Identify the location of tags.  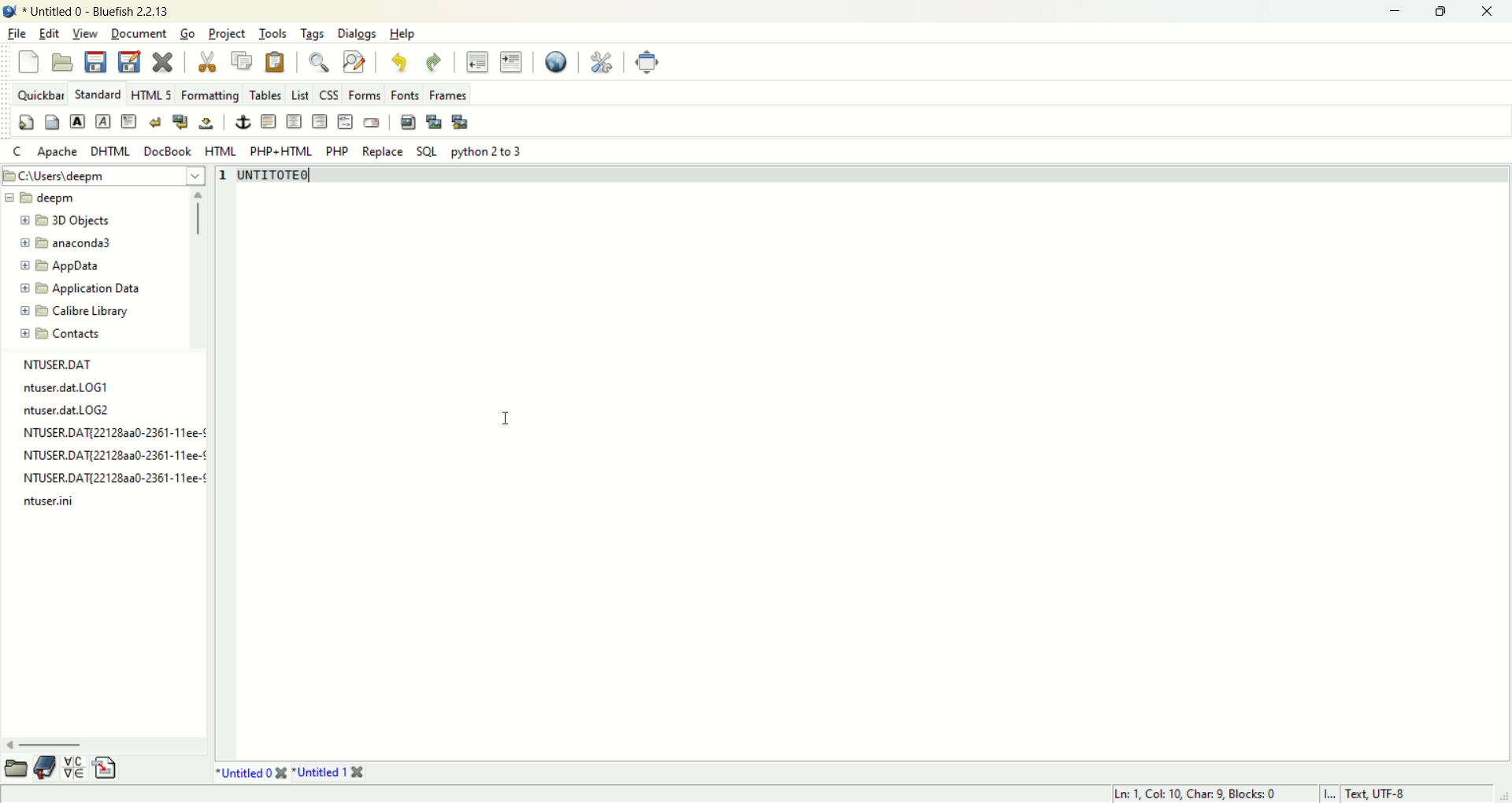
(313, 35).